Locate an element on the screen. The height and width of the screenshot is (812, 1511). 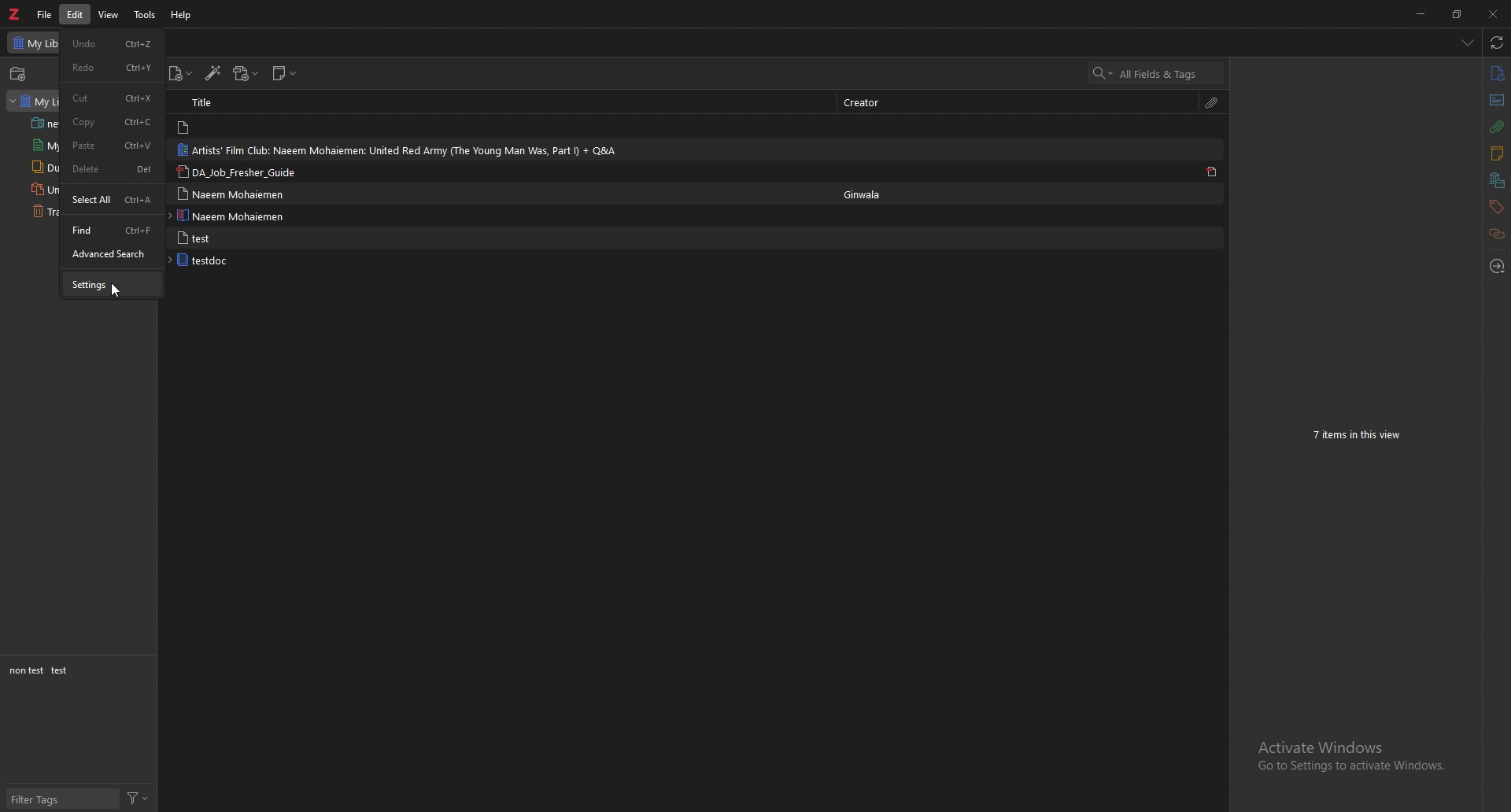
add items by identifier is located at coordinates (215, 74).